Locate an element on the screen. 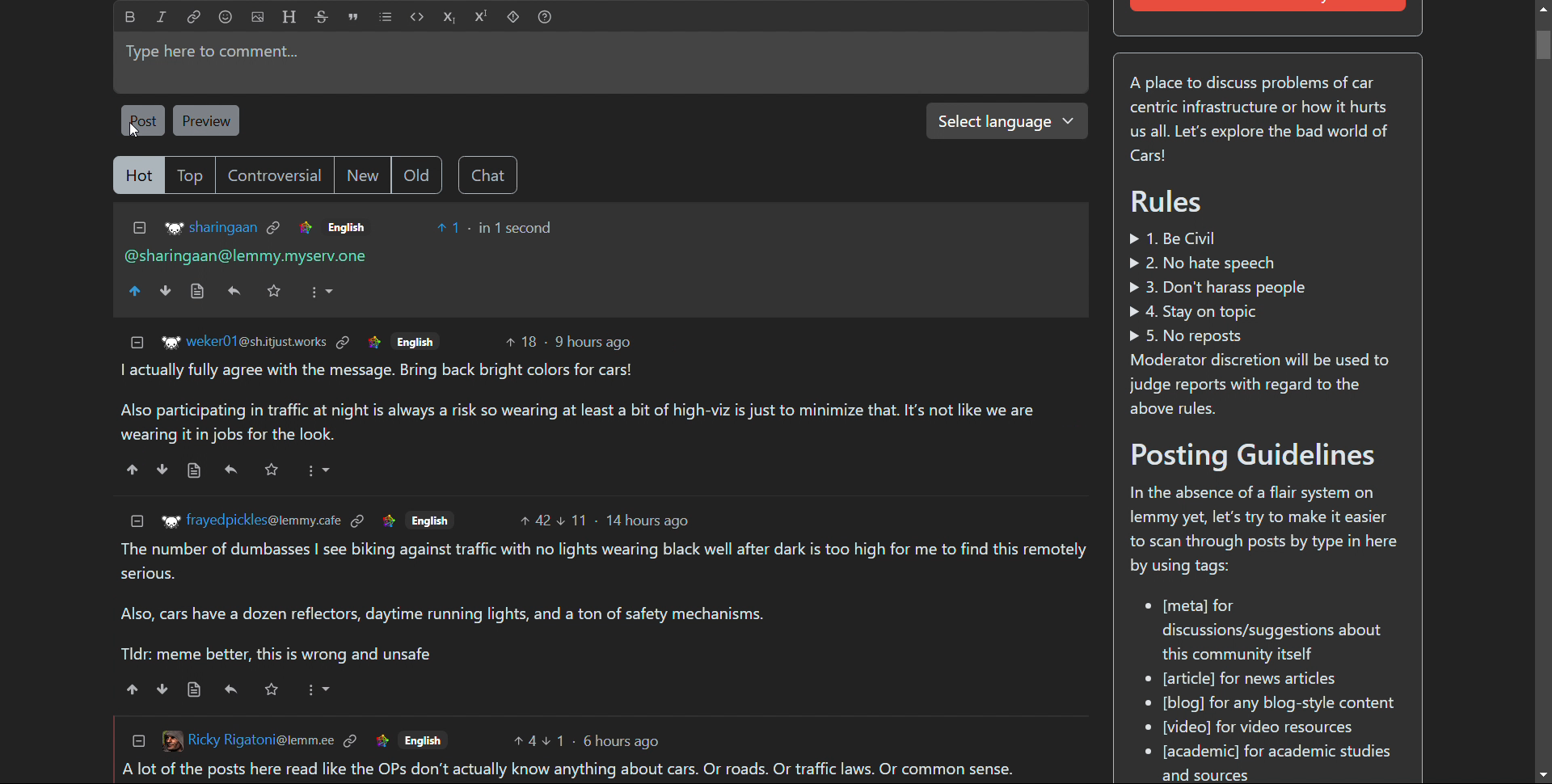 This screenshot has height=784, width=1552. @sharingaan@lemmy.myserv.one is located at coordinates (249, 256).